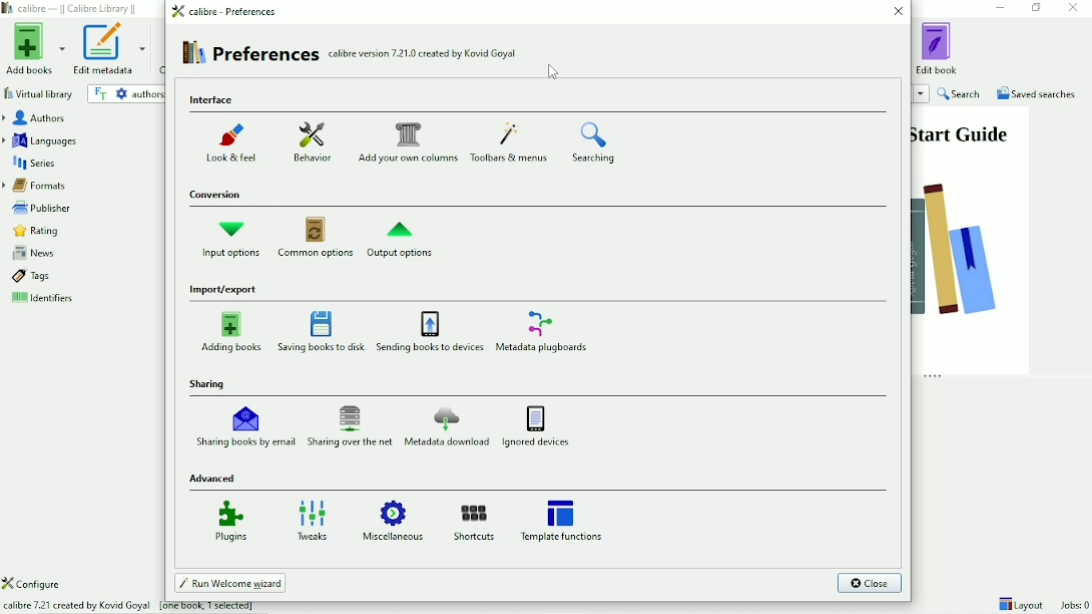  Describe the element at coordinates (475, 521) in the screenshot. I see `Shortcuts` at that location.